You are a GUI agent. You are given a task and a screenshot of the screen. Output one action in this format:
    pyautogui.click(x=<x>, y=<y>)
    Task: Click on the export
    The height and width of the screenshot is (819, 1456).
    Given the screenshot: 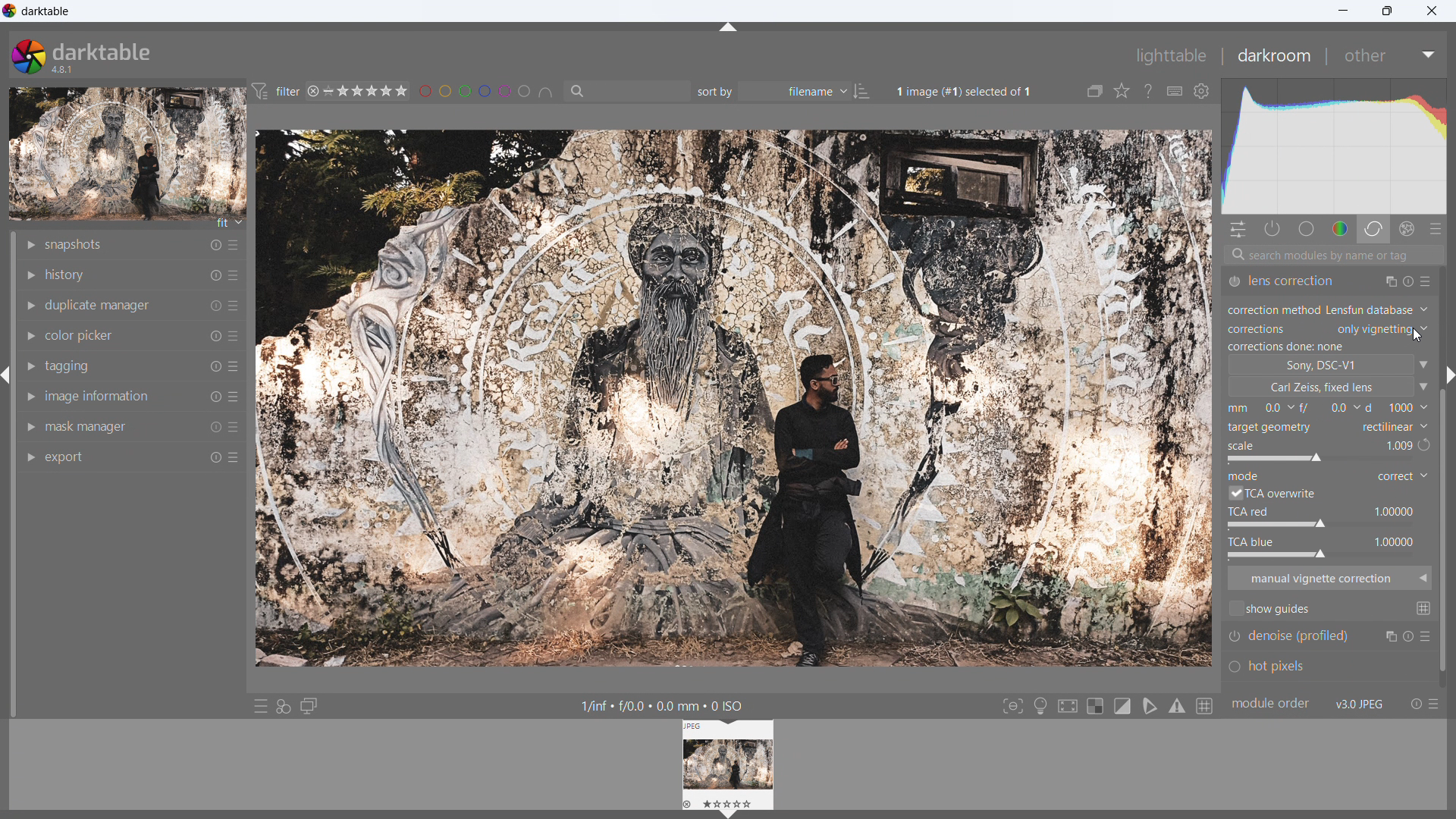 What is the action you would take?
    pyautogui.click(x=65, y=457)
    